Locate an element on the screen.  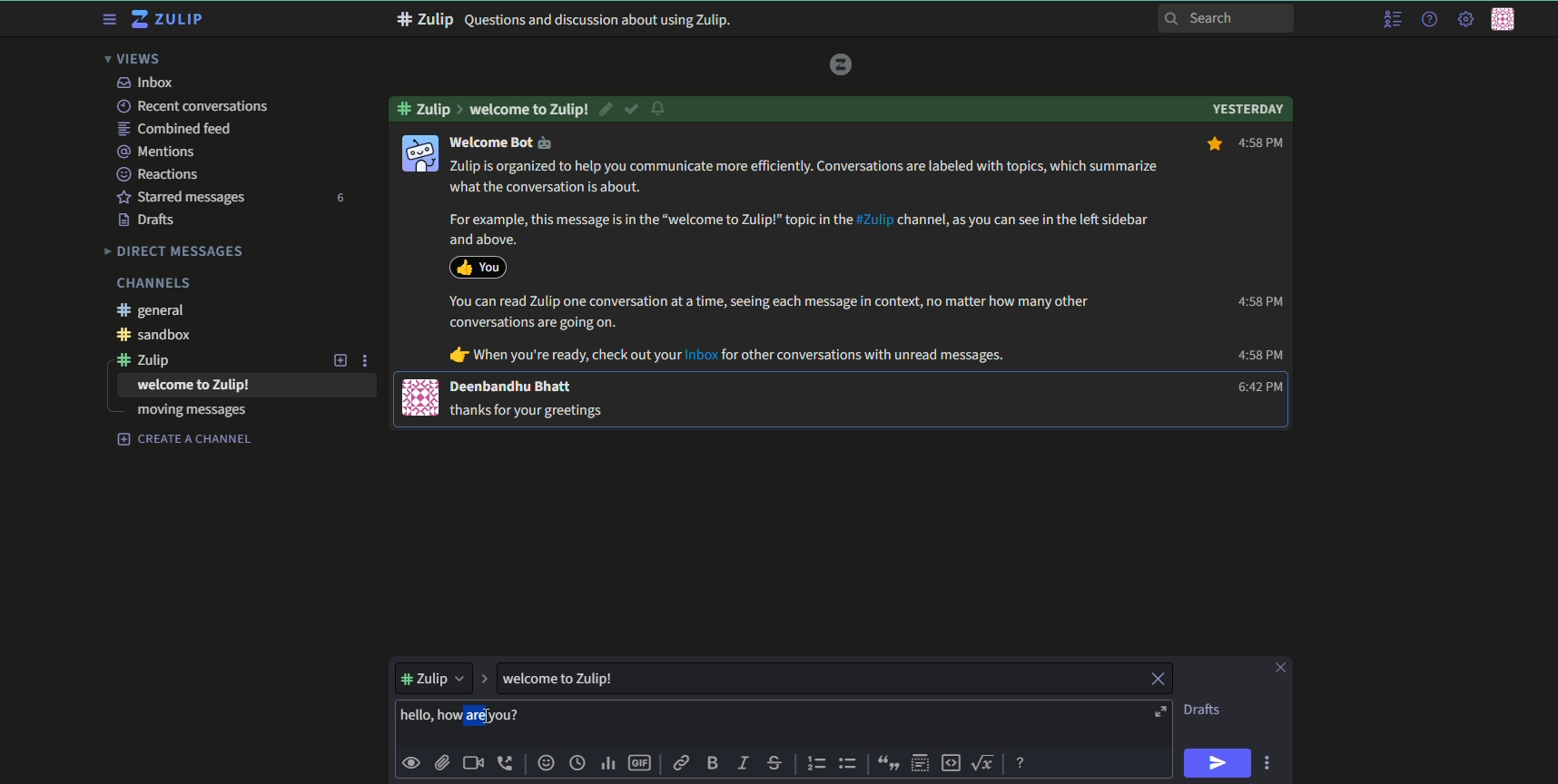
recent conversations is located at coordinates (192, 106).